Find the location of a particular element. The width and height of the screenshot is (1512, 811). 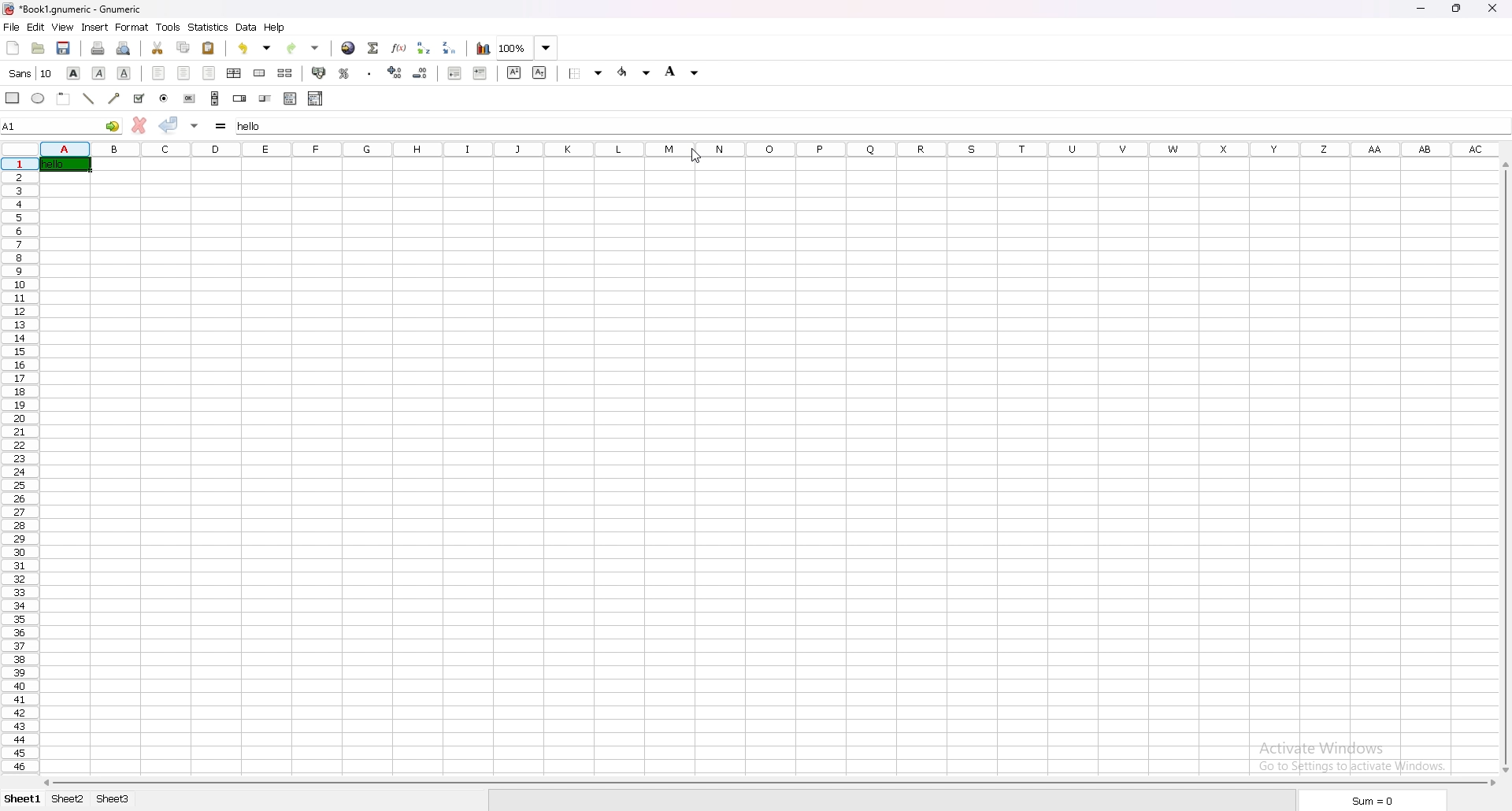

slider is located at coordinates (266, 98).